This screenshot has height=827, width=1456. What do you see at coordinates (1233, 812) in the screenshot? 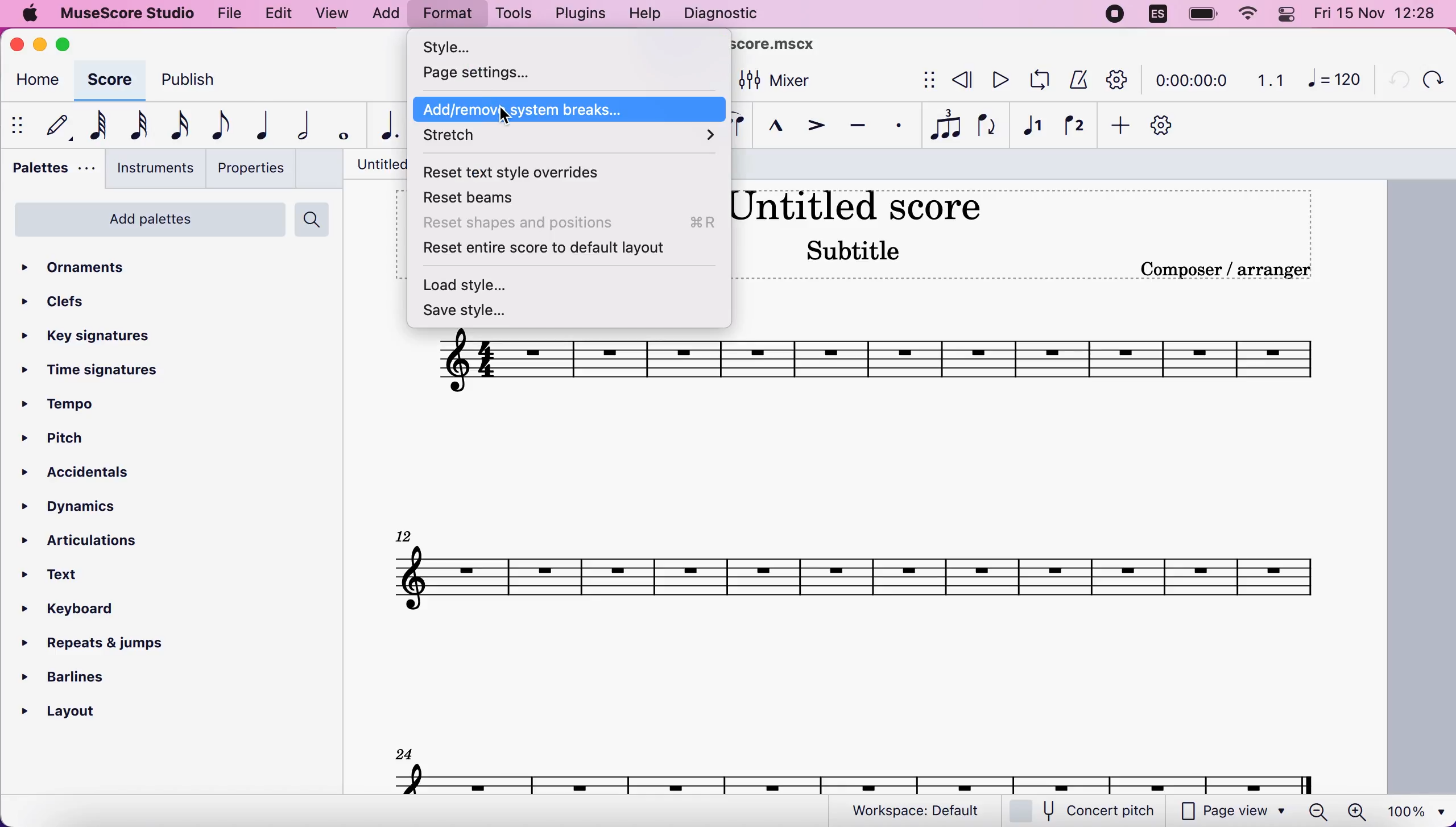
I see `page view` at bounding box center [1233, 812].